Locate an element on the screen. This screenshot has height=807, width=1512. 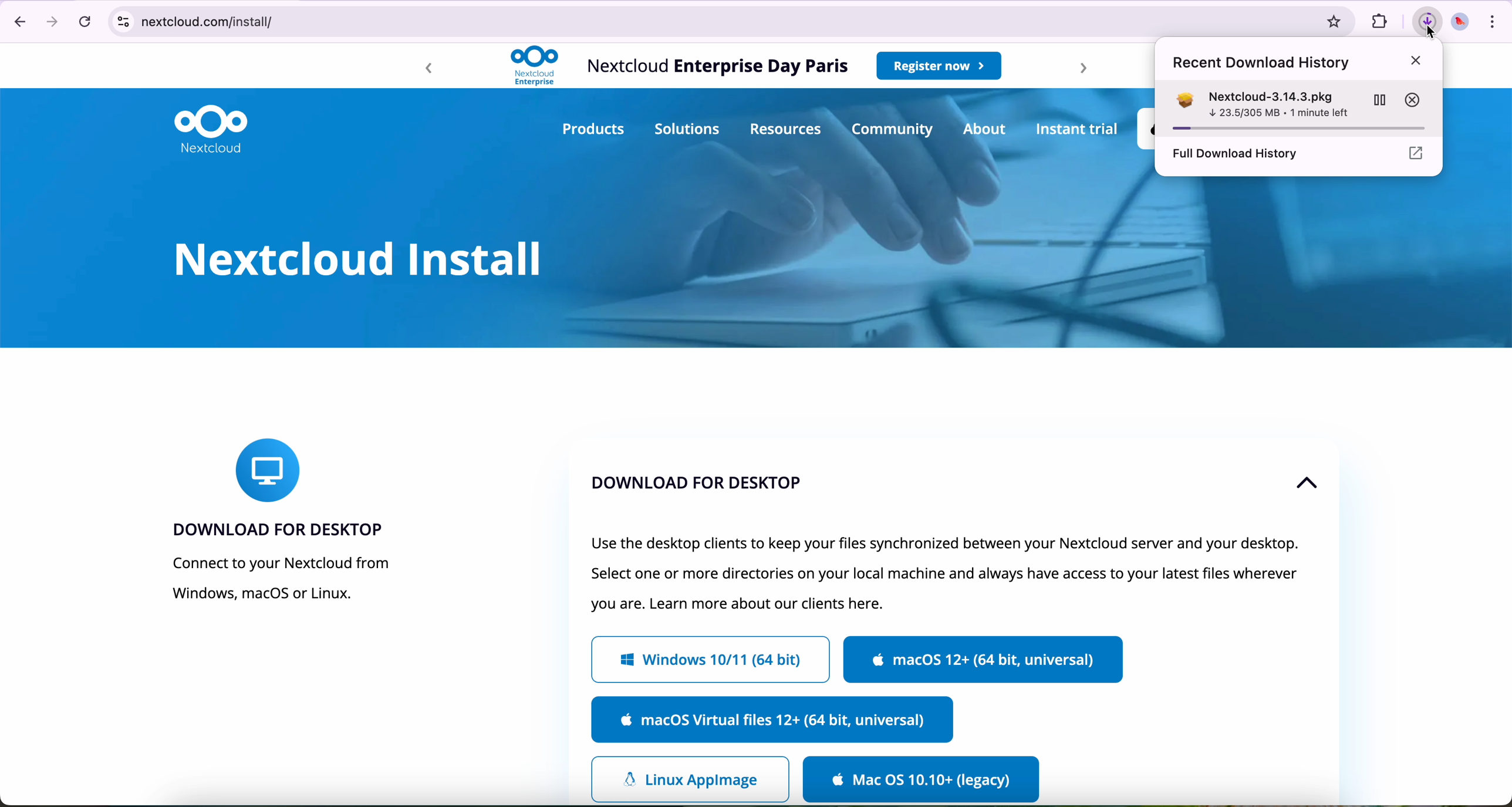
download for desktop is located at coordinates (277, 528).